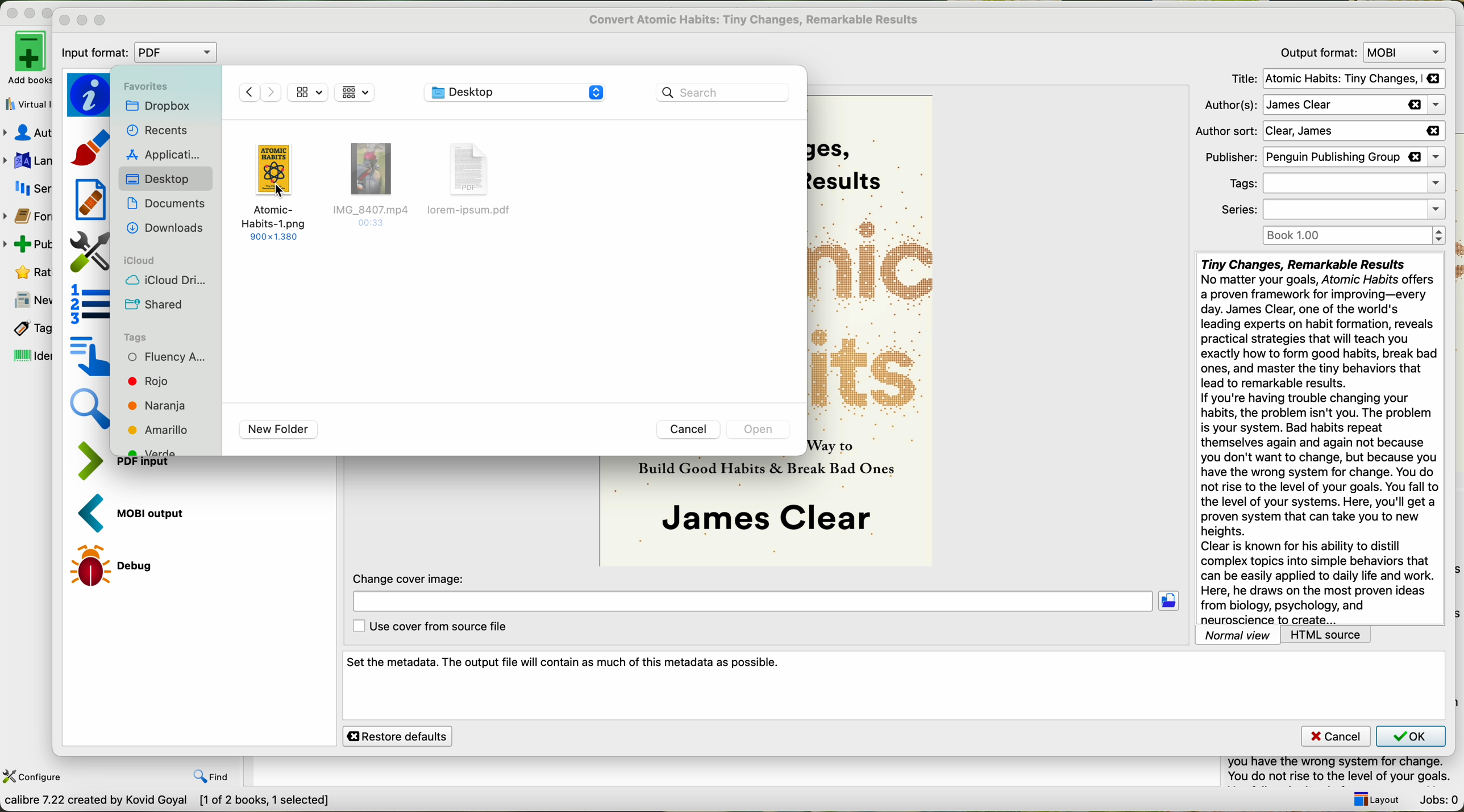  I want to click on cancel, so click(687, 430).